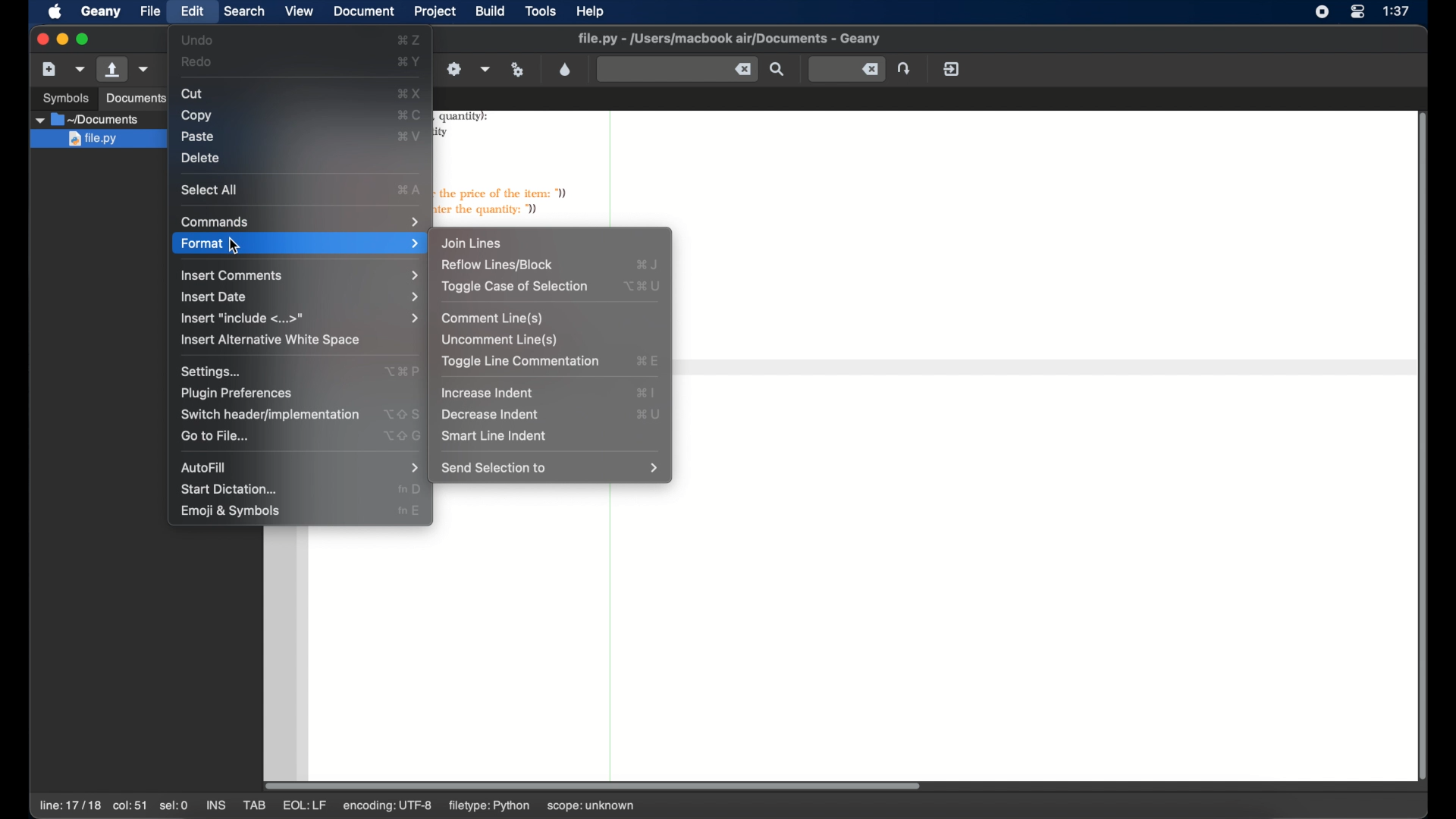  Describe the element at coordinates (150, 11) in the screenshot. I see `file` at that location.